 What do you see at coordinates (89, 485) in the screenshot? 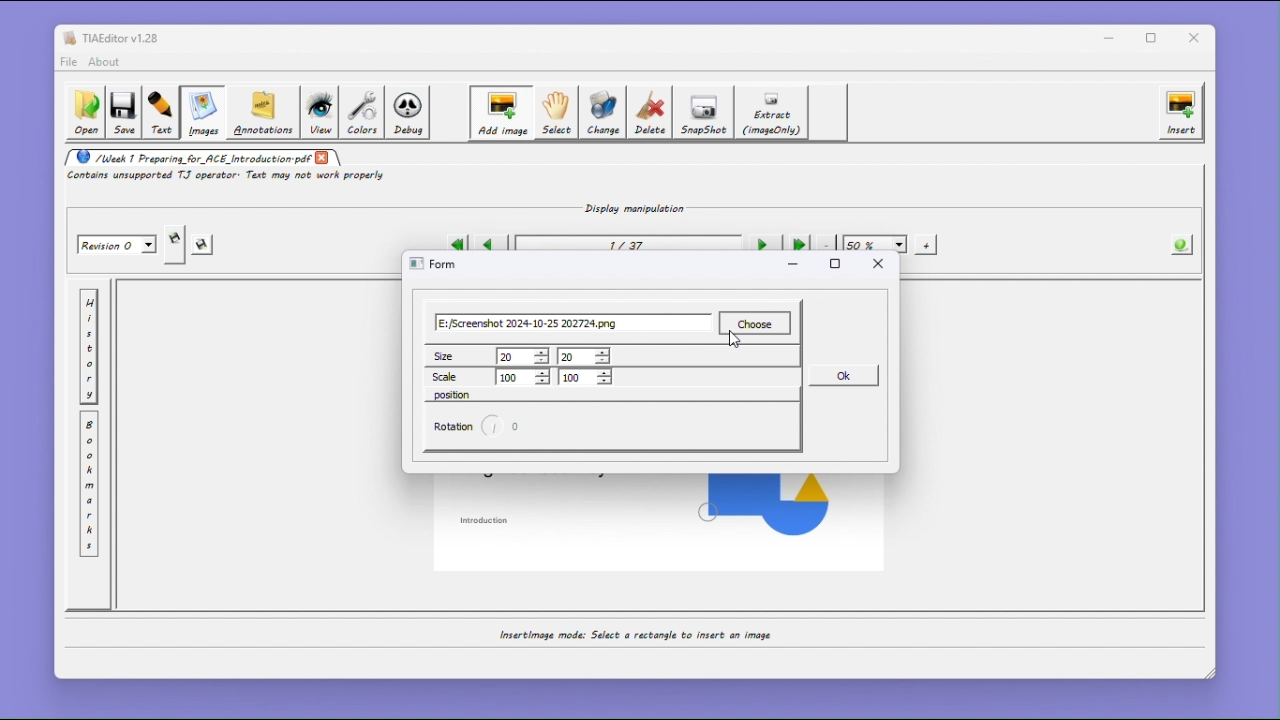
I see `Bookmark` at bounding box center [89, 485].